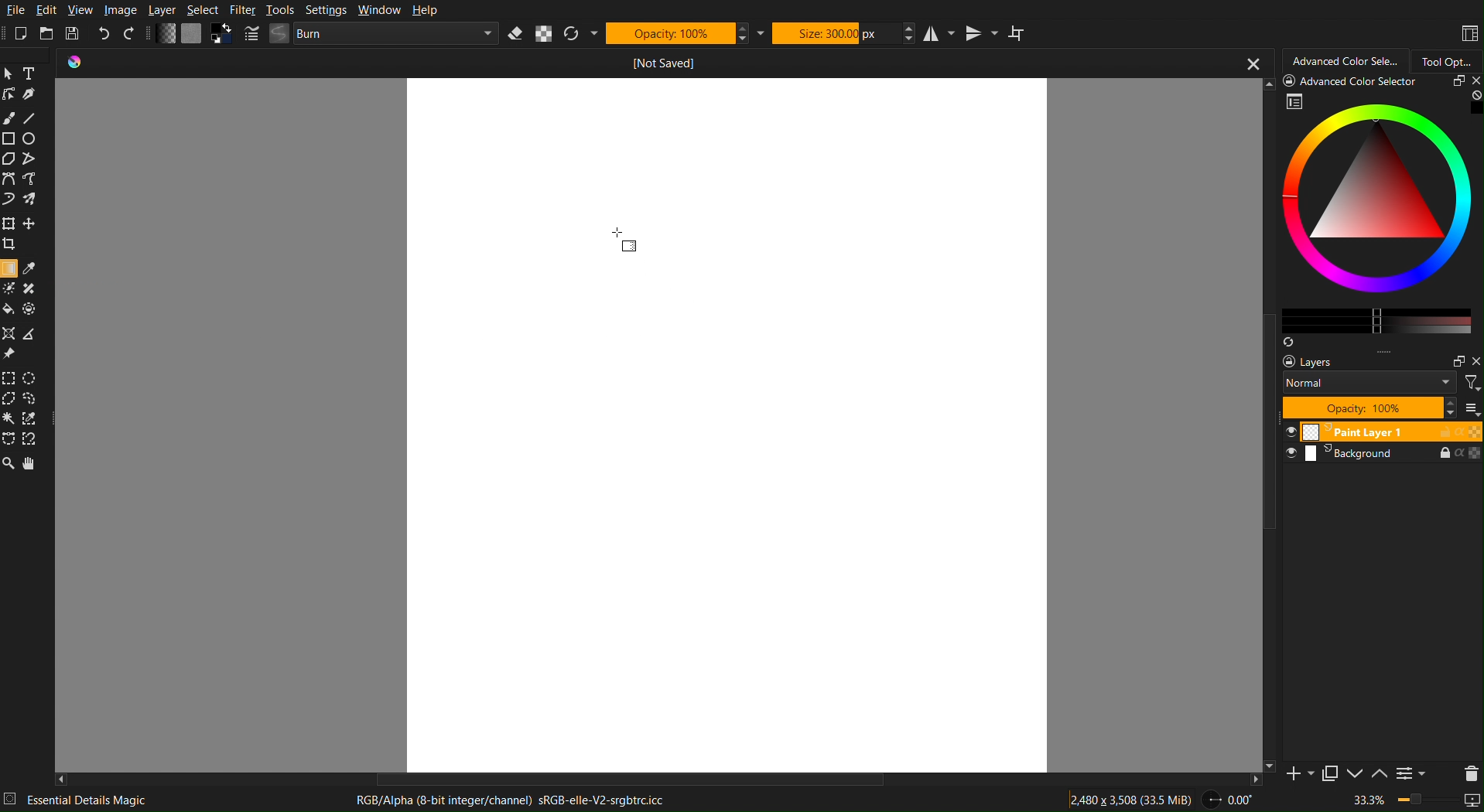  Describe the element at coordinates (120, 10) in the screenshot. I see `Image` at that location.